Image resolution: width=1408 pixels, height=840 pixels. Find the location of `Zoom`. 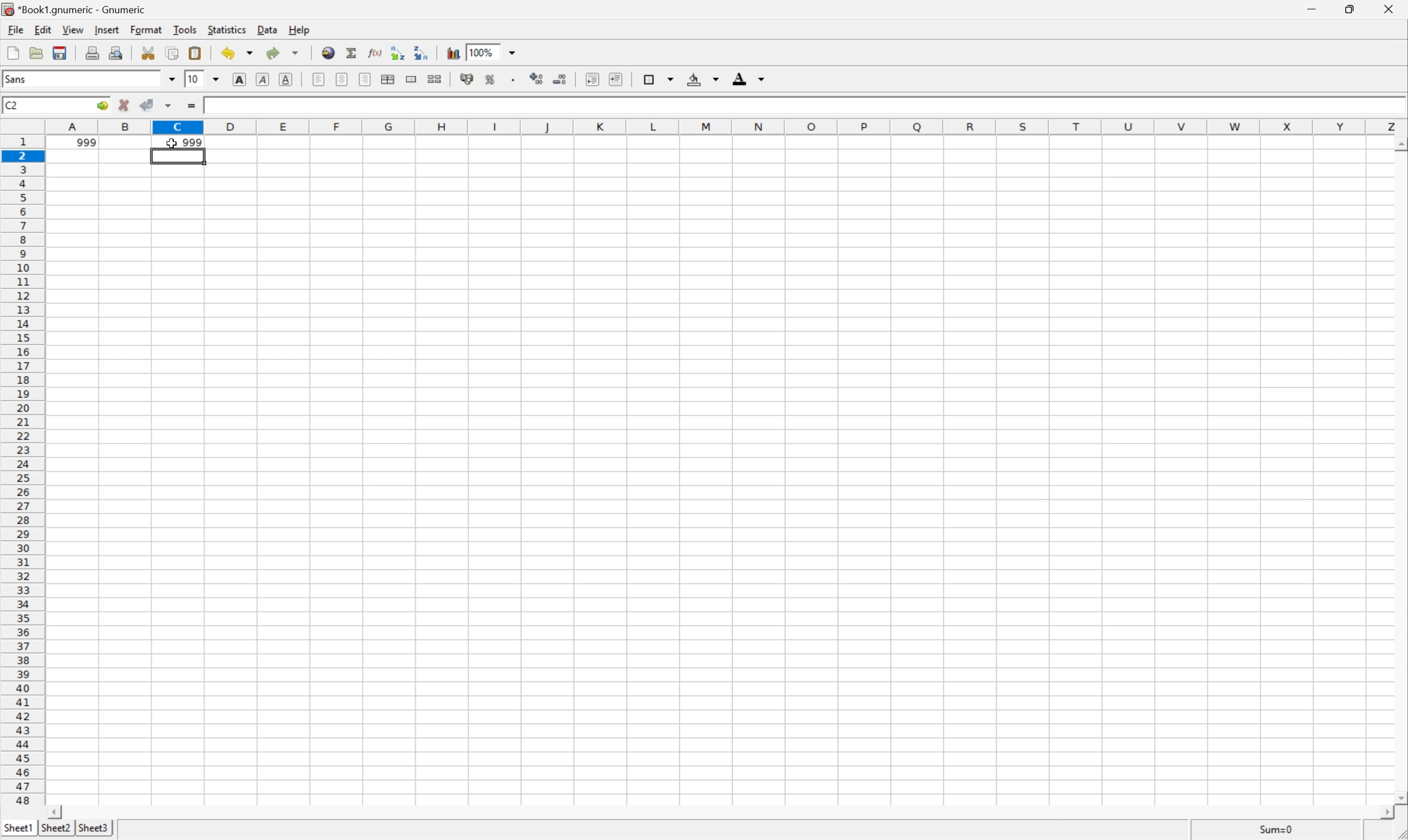

Zoom is located at coordinates (499, 52).